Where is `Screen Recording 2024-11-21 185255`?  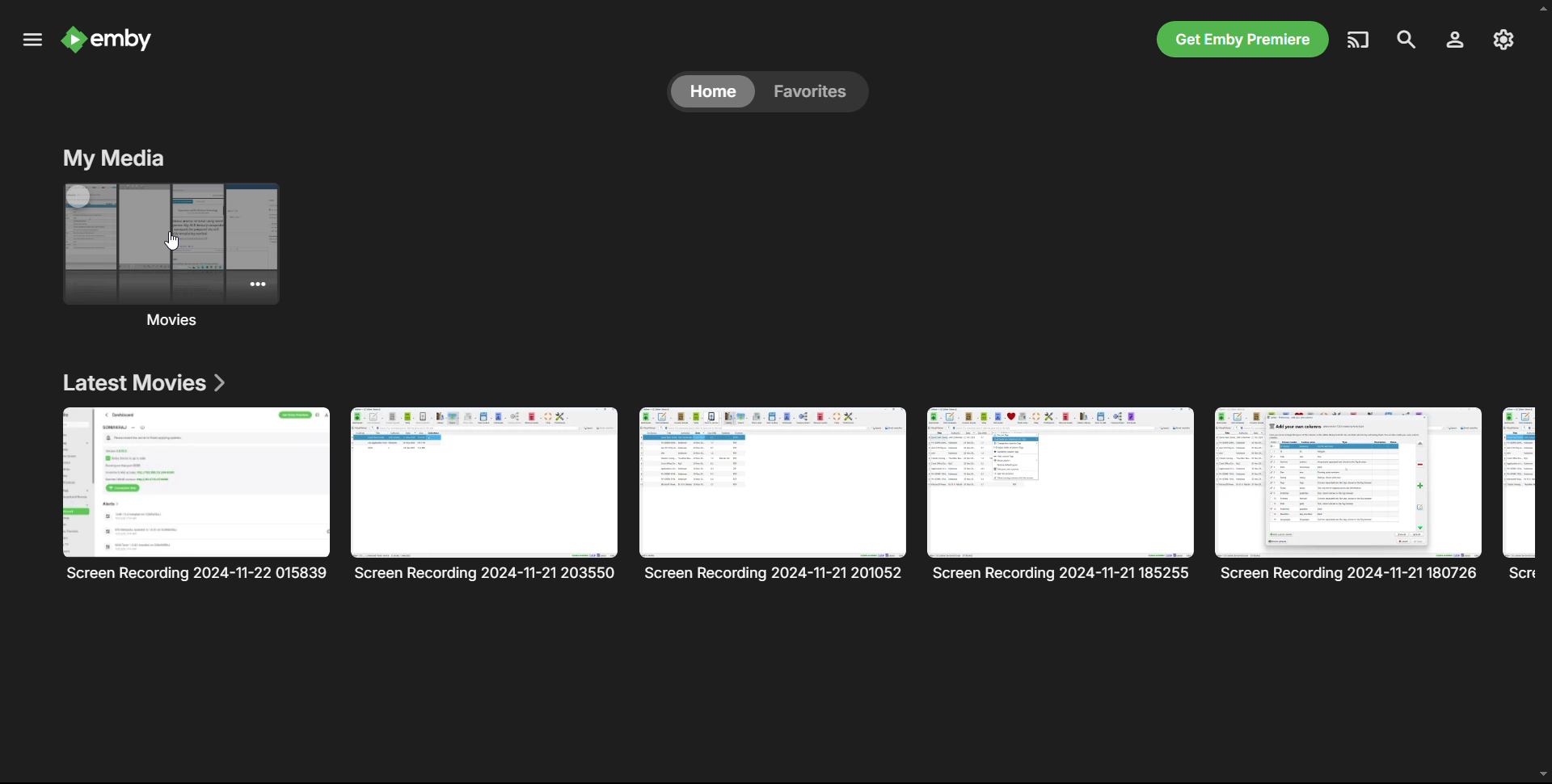
Screen Recording 2024-11-21 185255 is located at coordinates (1061, 495).